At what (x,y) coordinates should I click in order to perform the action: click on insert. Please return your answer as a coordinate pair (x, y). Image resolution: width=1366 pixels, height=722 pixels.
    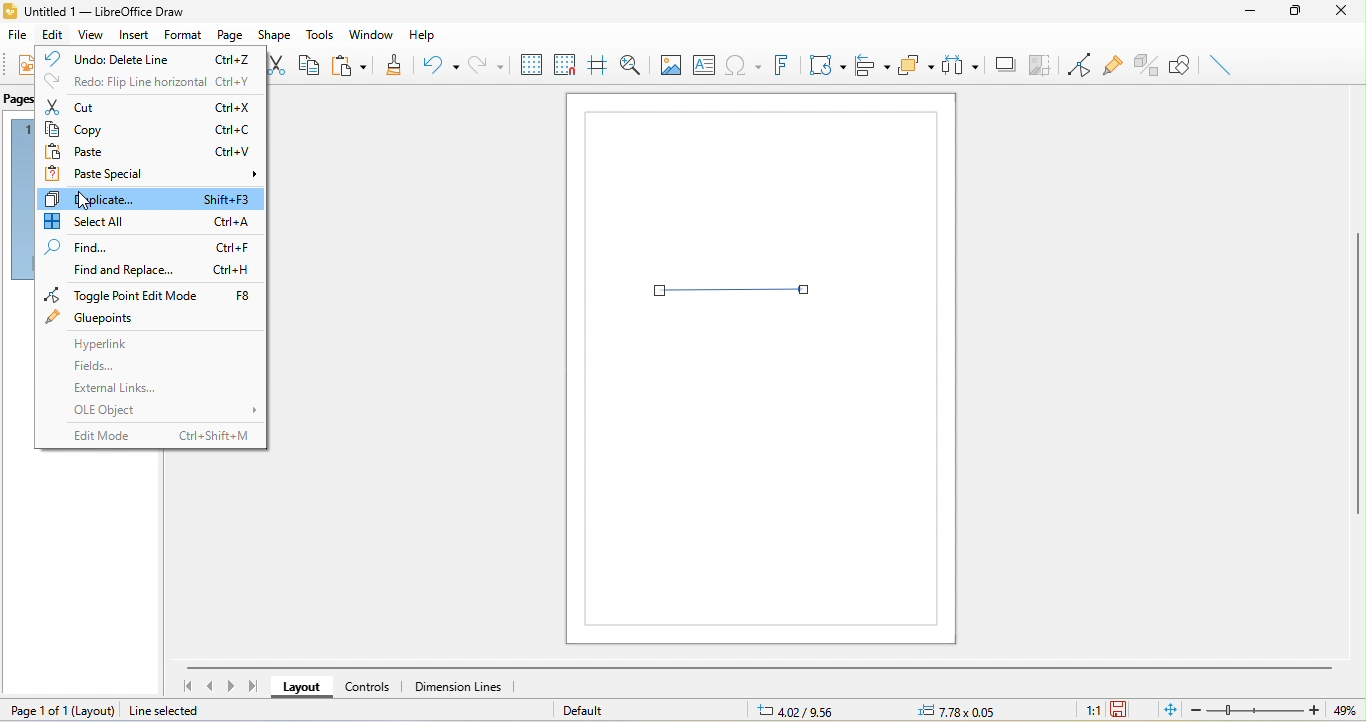
    Looking at the image, I should click on (130, 37).